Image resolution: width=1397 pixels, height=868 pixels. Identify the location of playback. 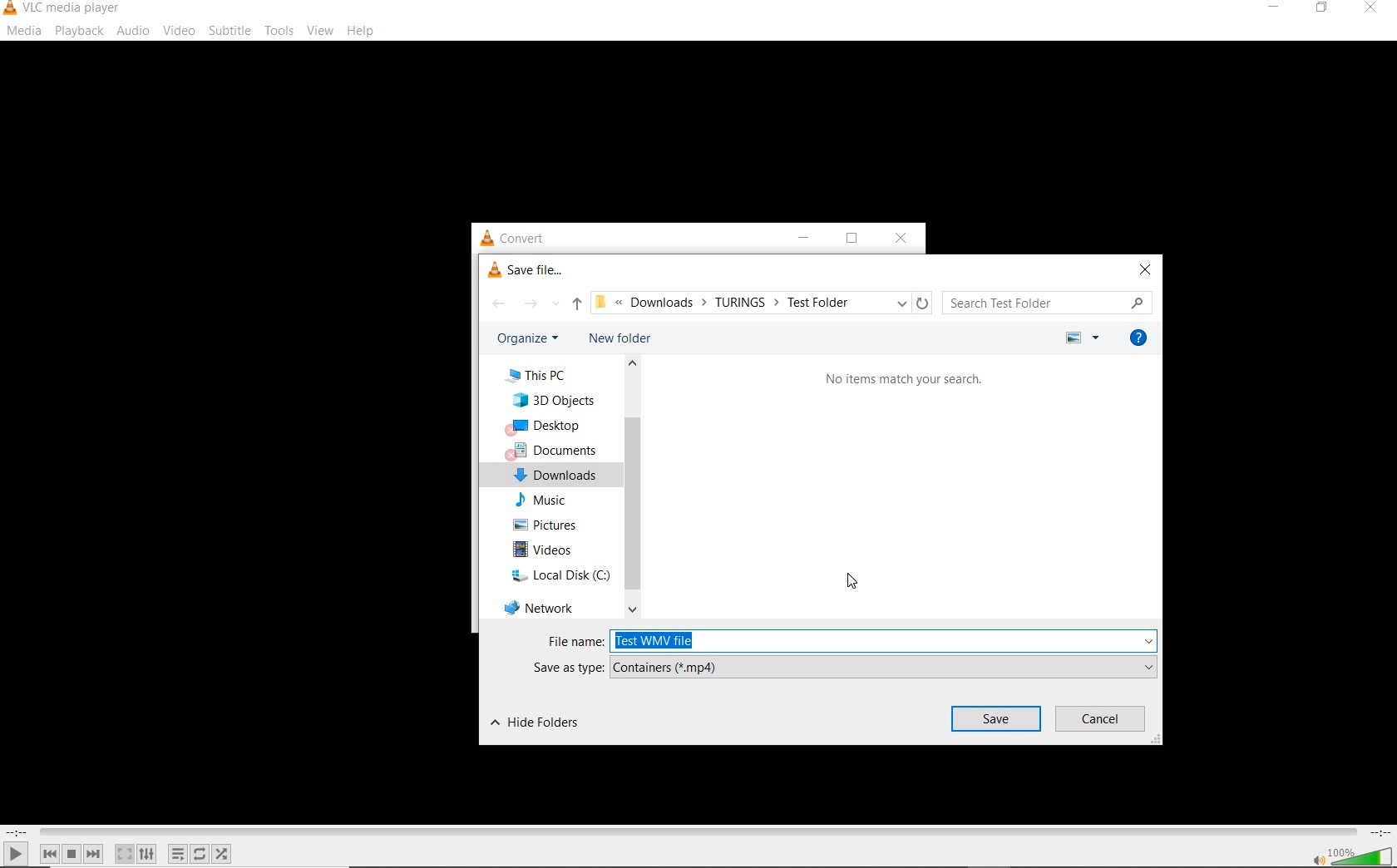
(79, 31).